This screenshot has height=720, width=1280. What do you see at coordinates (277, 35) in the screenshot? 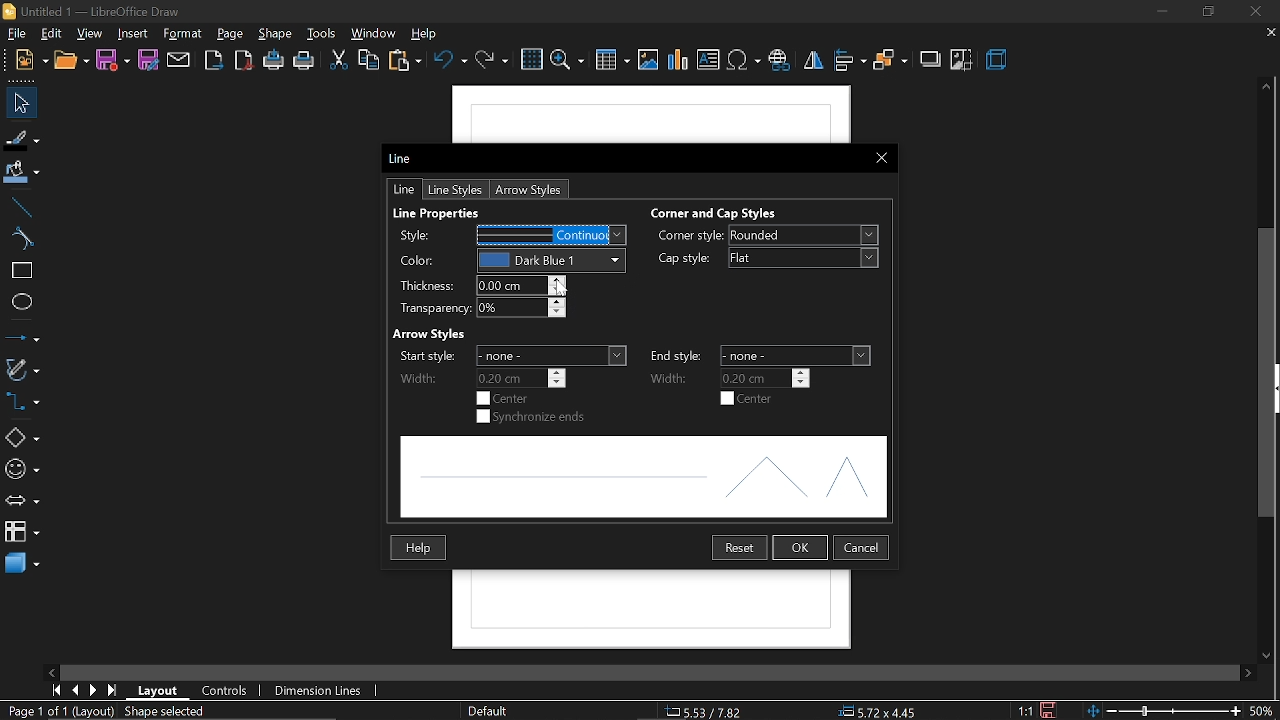
I see `shape` at bounding box center [277, 35].